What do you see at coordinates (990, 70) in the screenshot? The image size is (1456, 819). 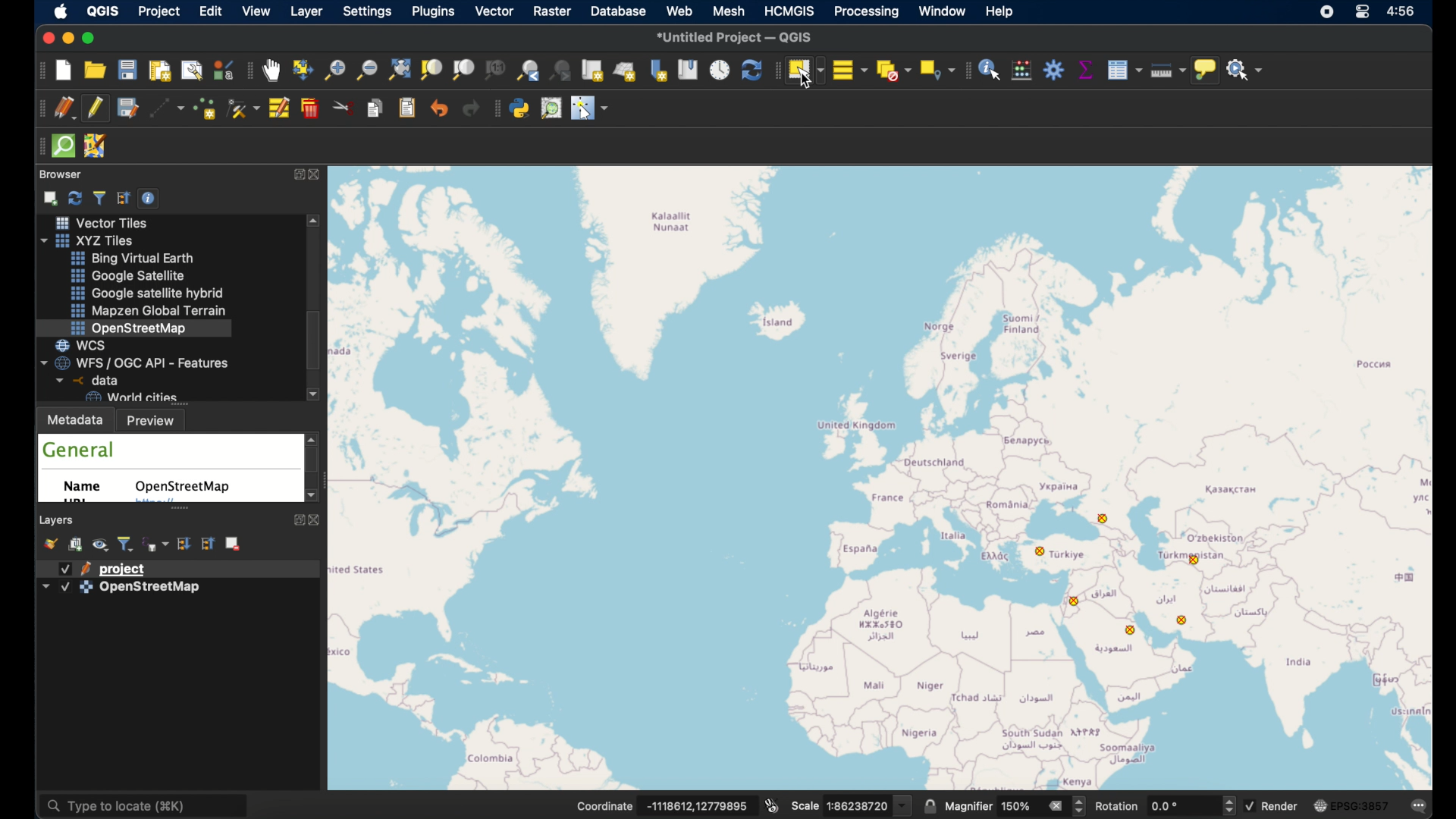 I see `identify feature` at bounding box center [990, 70].